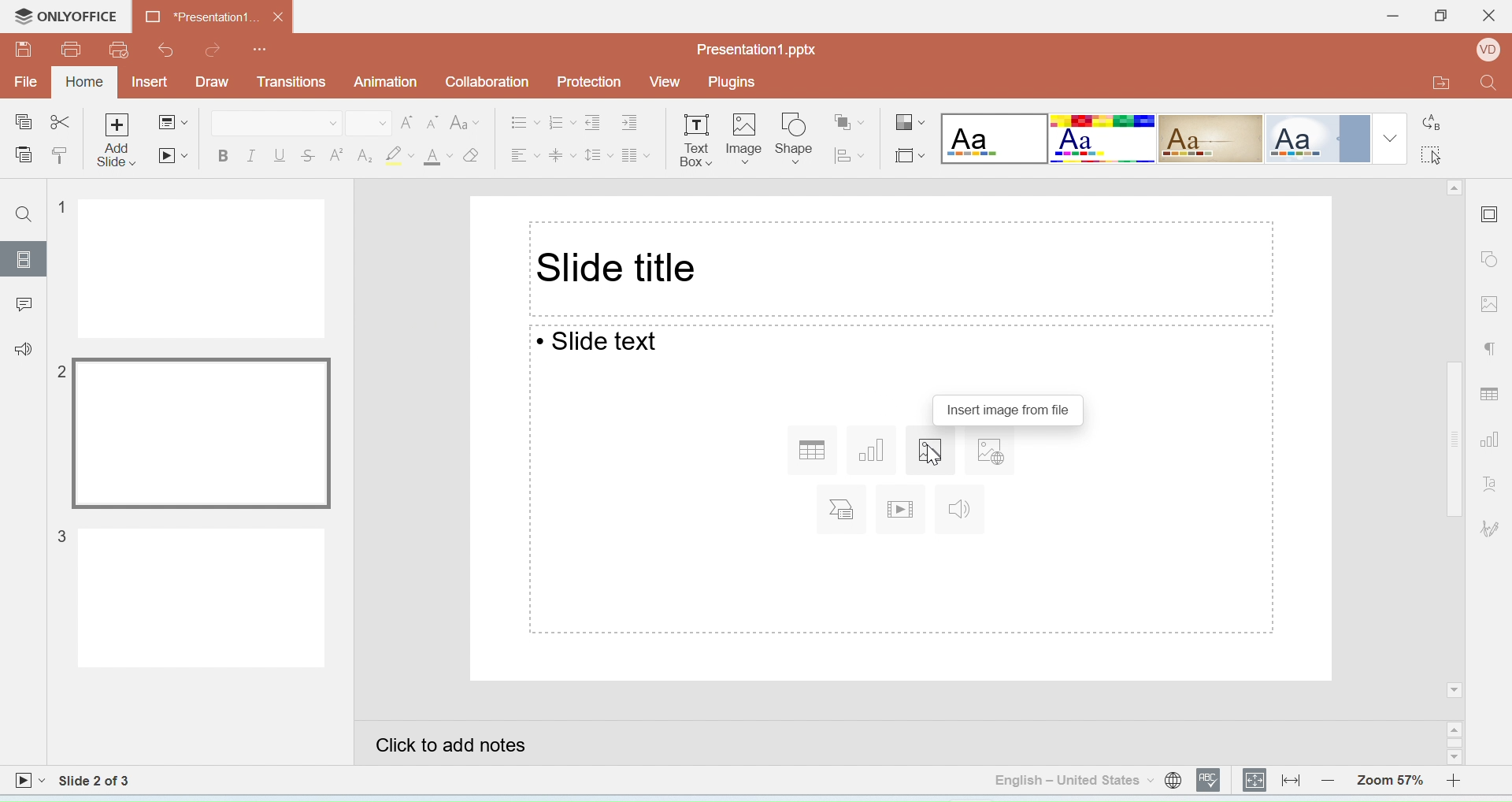 The image size is (1512, 802). I want to click on Change case, so click(466, 122).